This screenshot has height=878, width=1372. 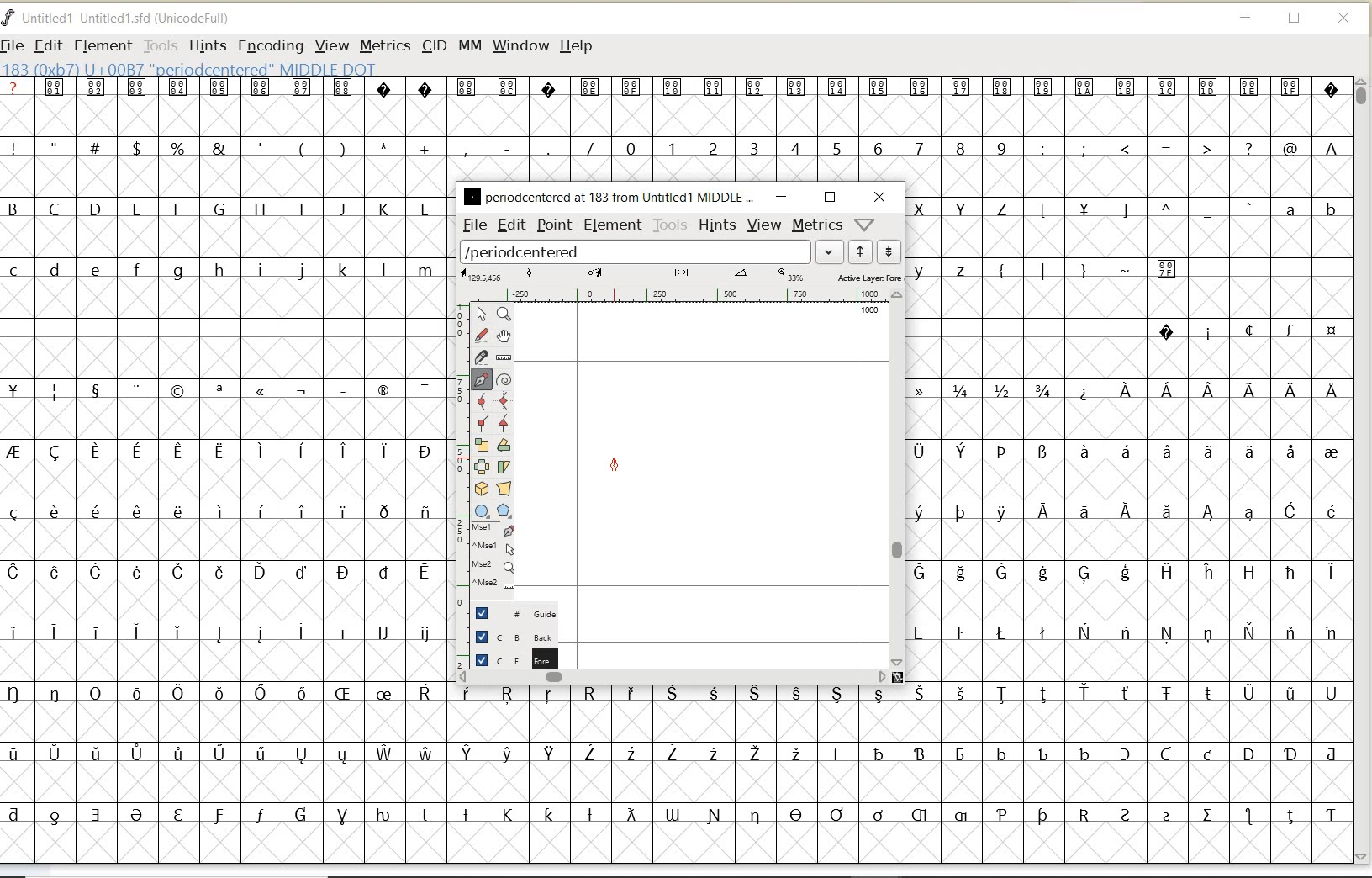 What do you see at coordinates (9, 16) in the screenshot?
I see `FontForge Logo` at bounding box center [9, 16].